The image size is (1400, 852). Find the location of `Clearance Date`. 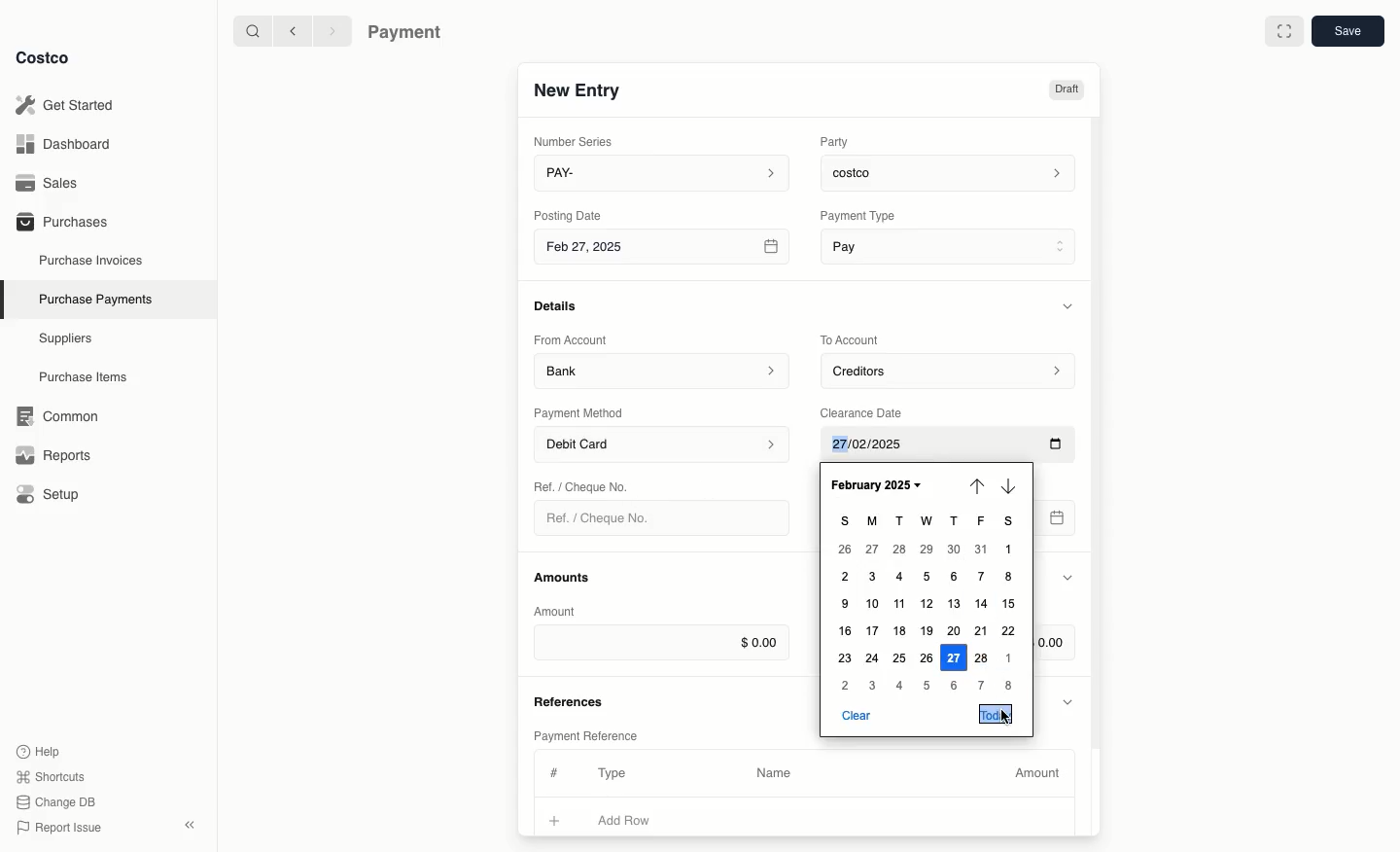

Clearance Date is located at coordinates (868, 411).